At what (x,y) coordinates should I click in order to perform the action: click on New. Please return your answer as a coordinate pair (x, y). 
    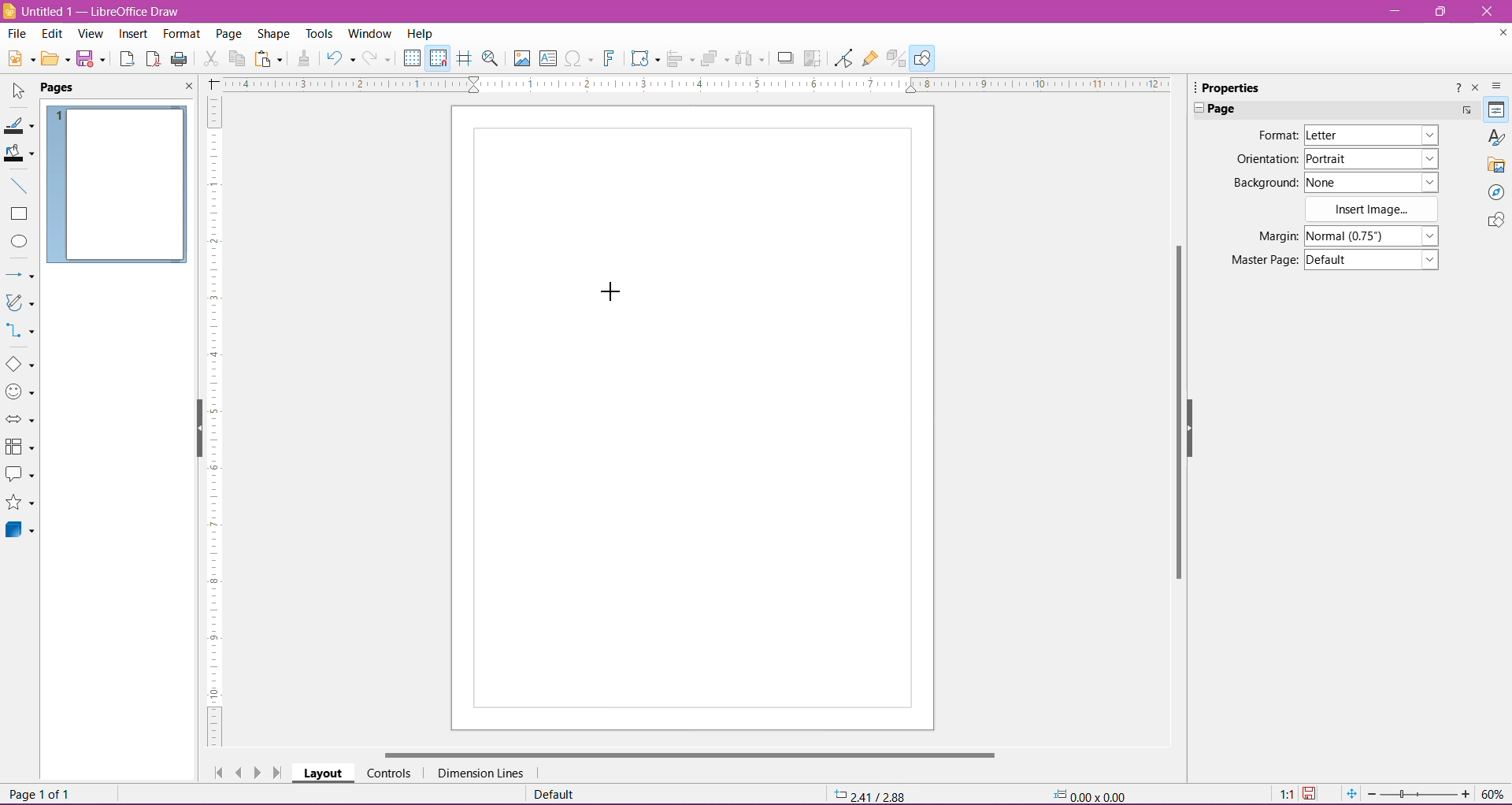
    Looking at the image, I should click on (19, 57).